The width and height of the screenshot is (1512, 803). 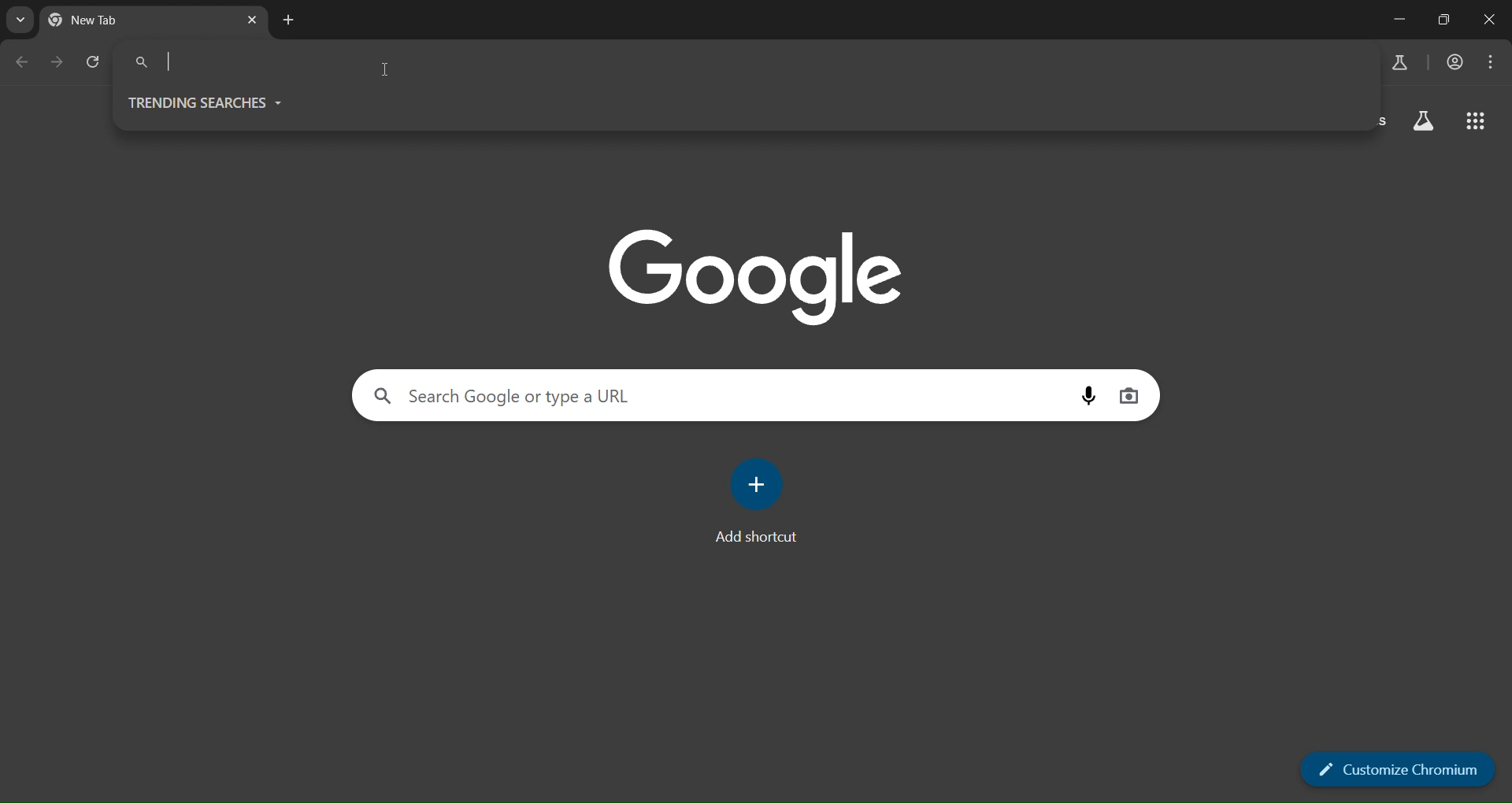 What do you see at coordinates (94, 61) in the screenshot?
I see `reload page` at bounding box center [94, 61].